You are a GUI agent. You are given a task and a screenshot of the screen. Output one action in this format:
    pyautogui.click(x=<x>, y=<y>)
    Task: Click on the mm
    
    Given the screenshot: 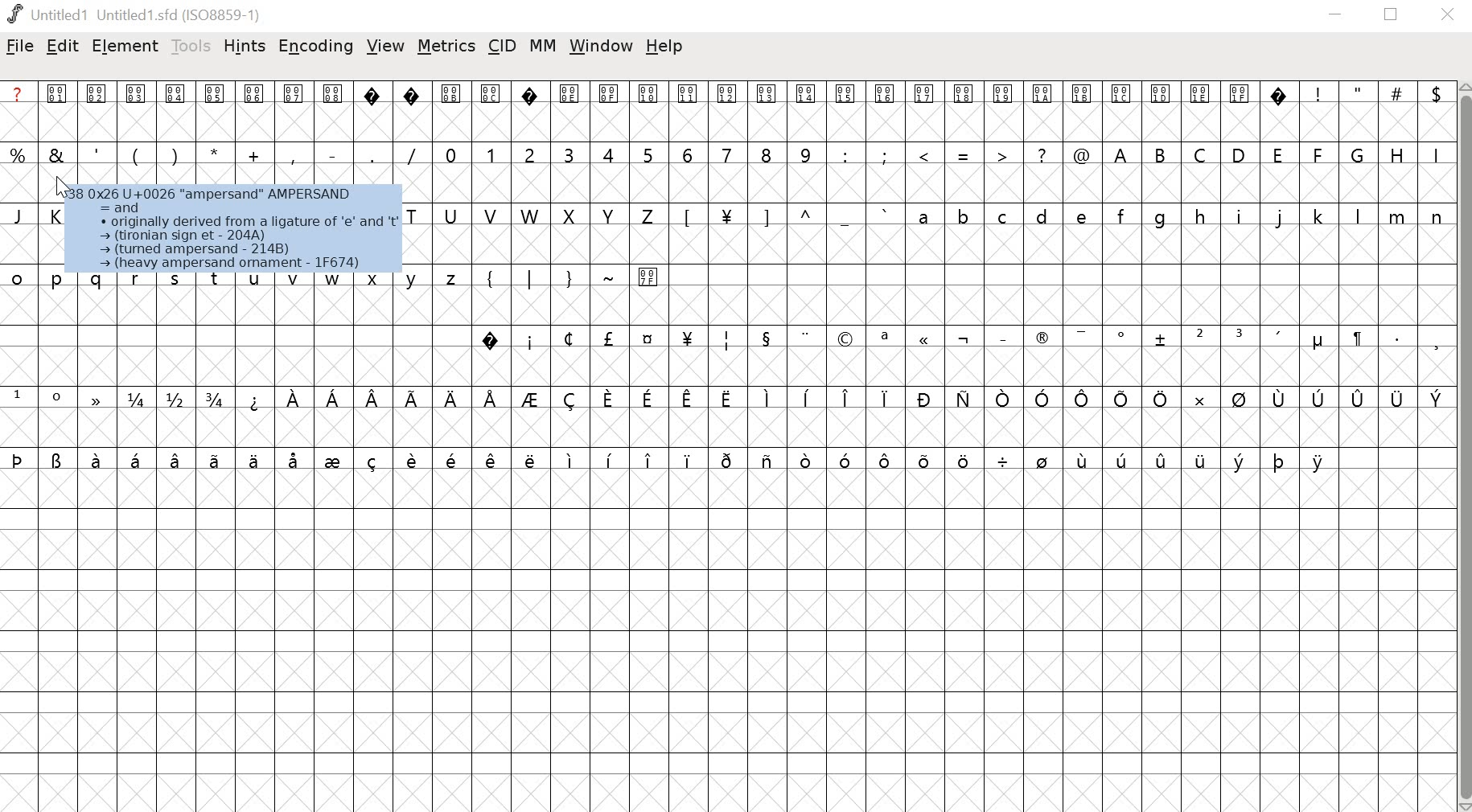 What is the action you would take?
    pyautogui.click(x=543, y=45)
    